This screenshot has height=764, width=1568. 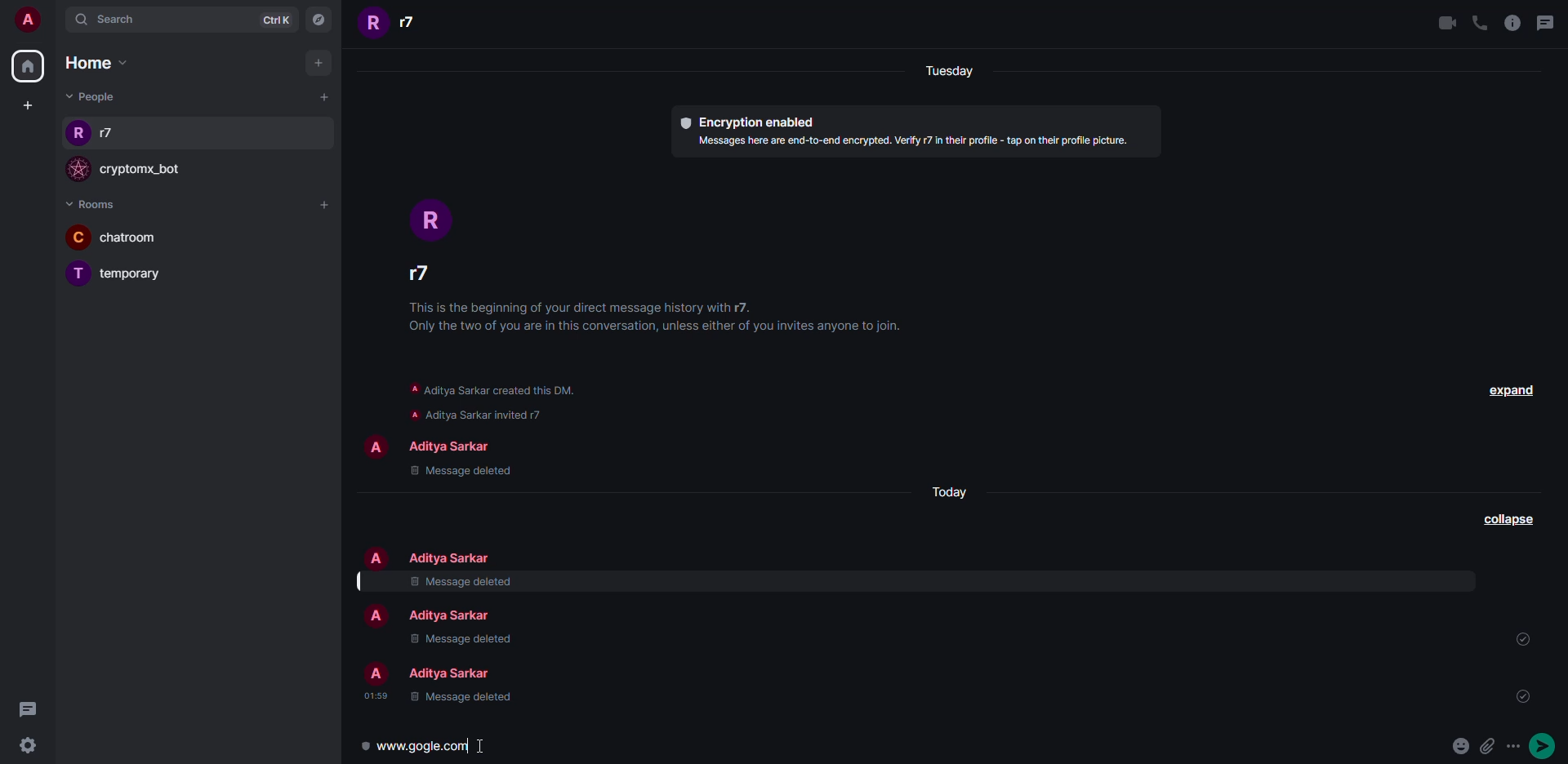 I want to click on message deleted, so click(x=461, y=639).